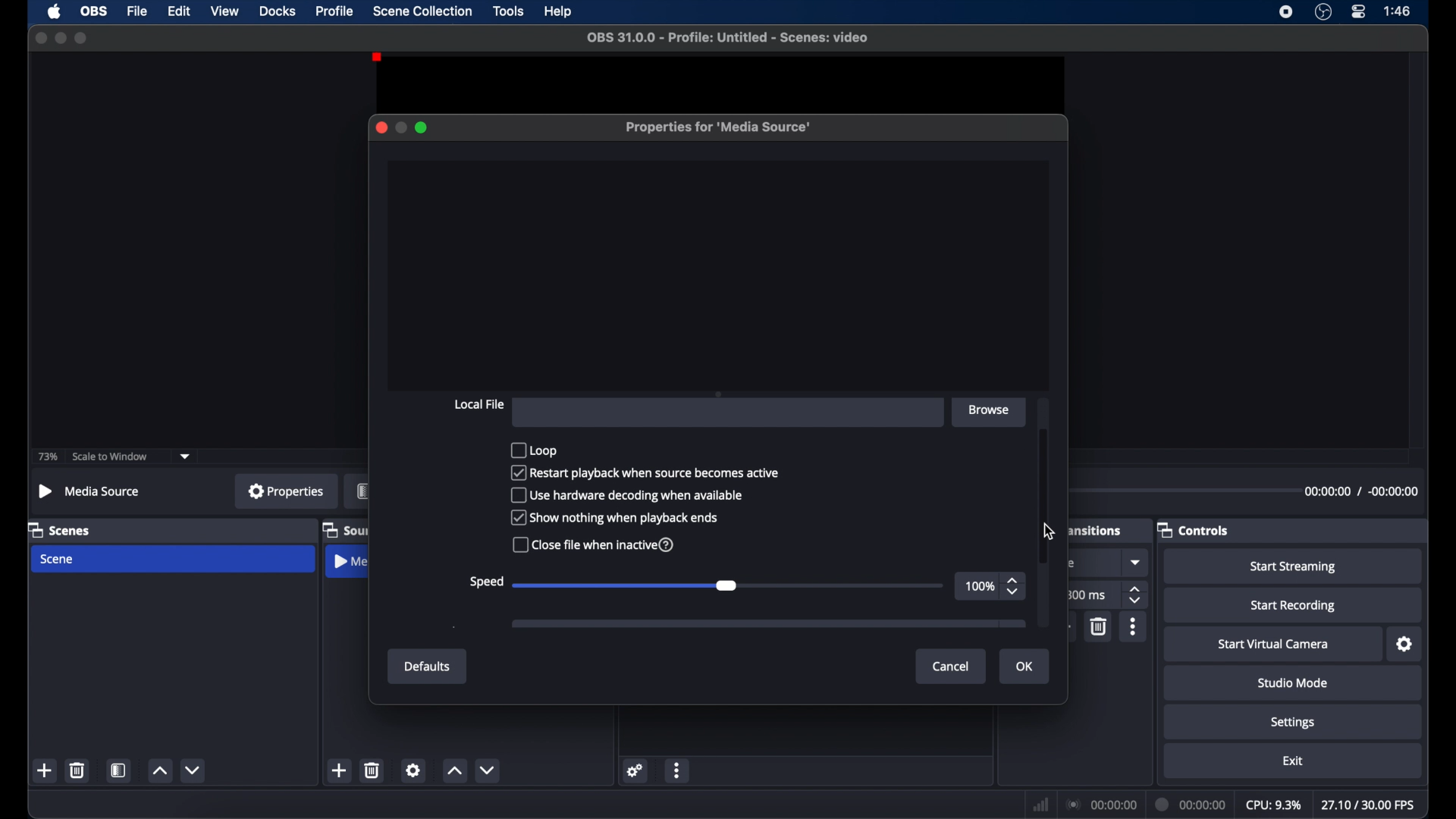 The image size is (1456, 819). Describe the element at coordinates (1050, 532) in the screenshot. I see `cursor` at that location.